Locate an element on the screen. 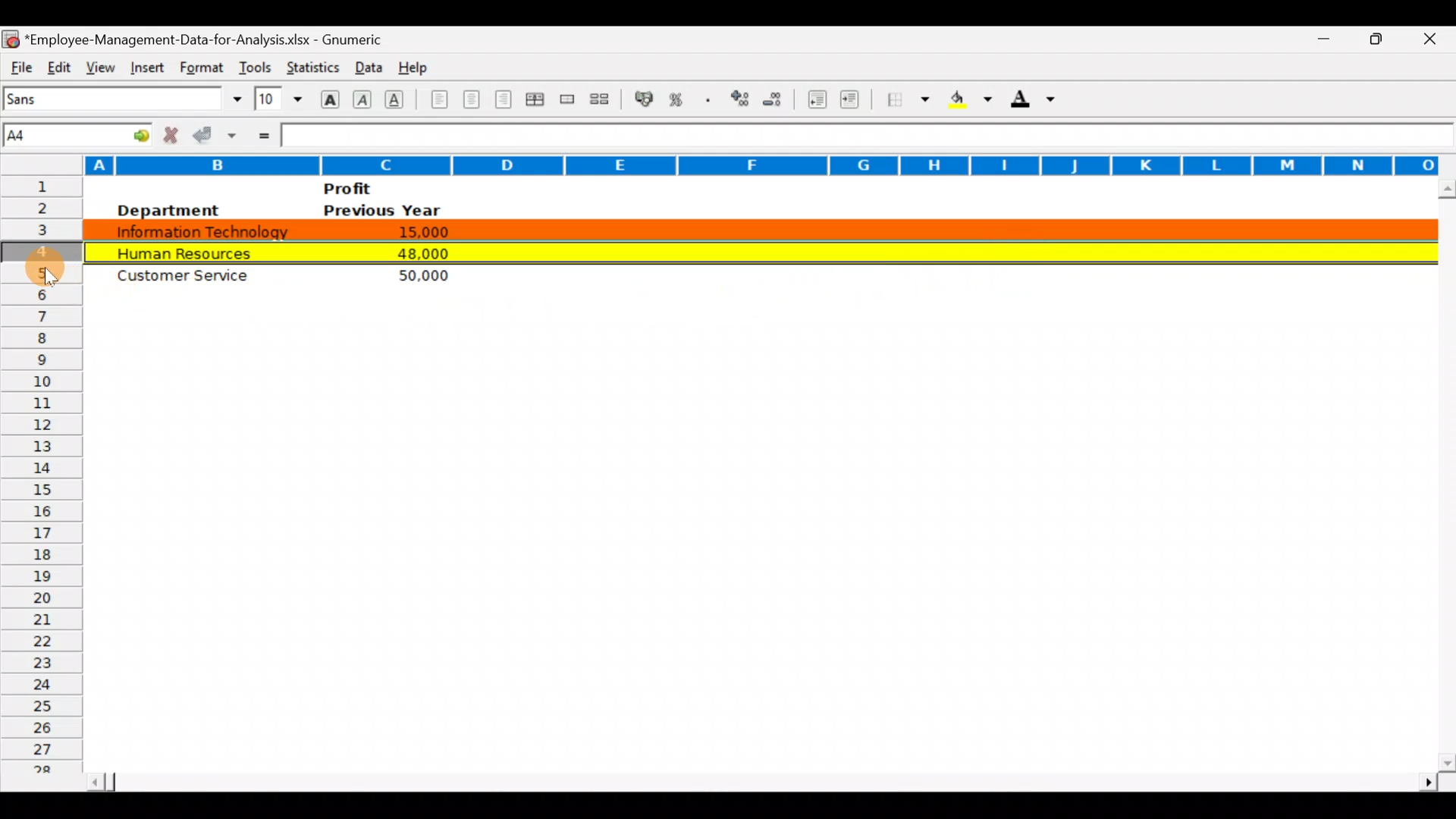  Decrease indent, align contents to the left is located at coordinates (819, 101).